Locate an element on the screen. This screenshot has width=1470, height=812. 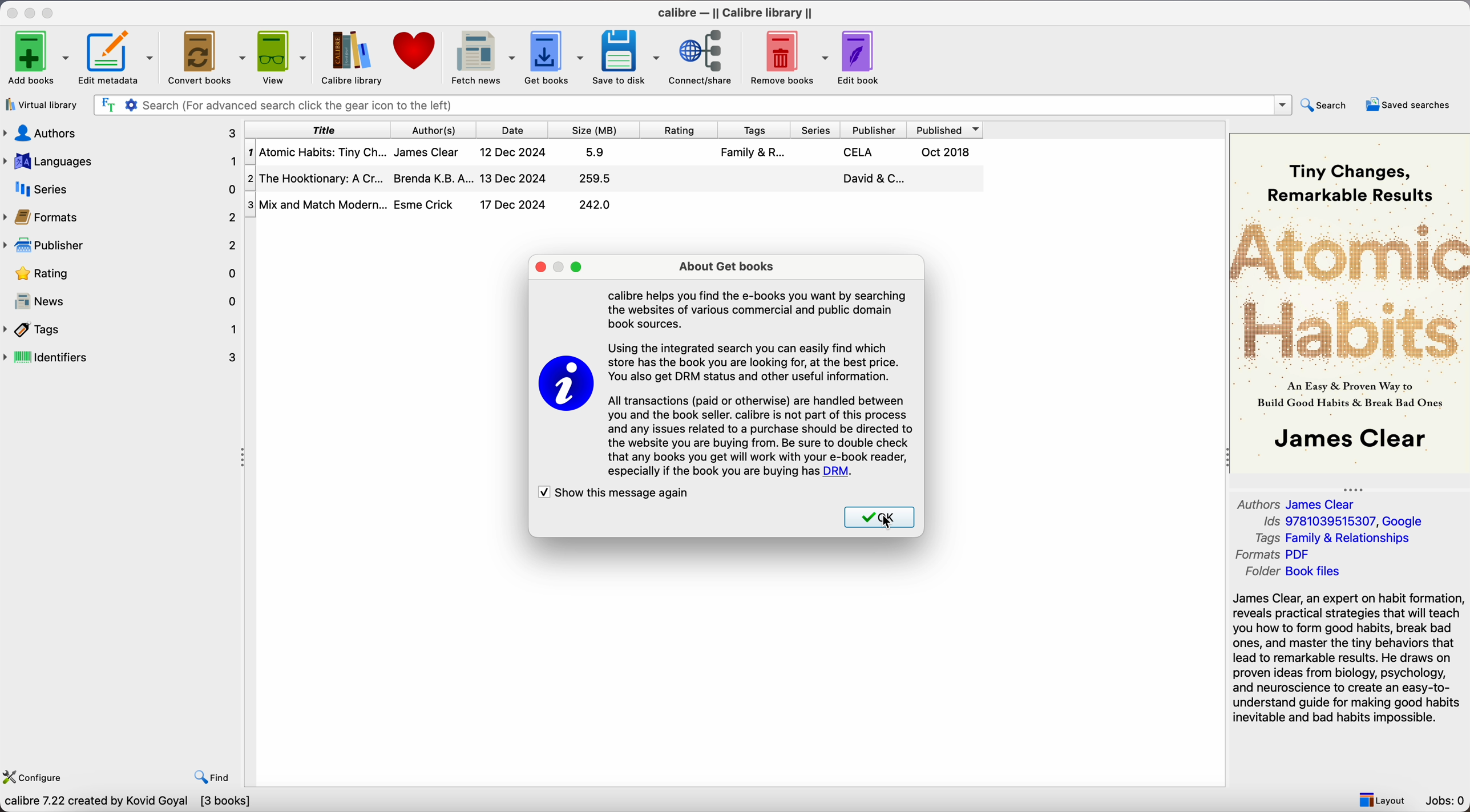
formats is located at coordinates (123, 217).